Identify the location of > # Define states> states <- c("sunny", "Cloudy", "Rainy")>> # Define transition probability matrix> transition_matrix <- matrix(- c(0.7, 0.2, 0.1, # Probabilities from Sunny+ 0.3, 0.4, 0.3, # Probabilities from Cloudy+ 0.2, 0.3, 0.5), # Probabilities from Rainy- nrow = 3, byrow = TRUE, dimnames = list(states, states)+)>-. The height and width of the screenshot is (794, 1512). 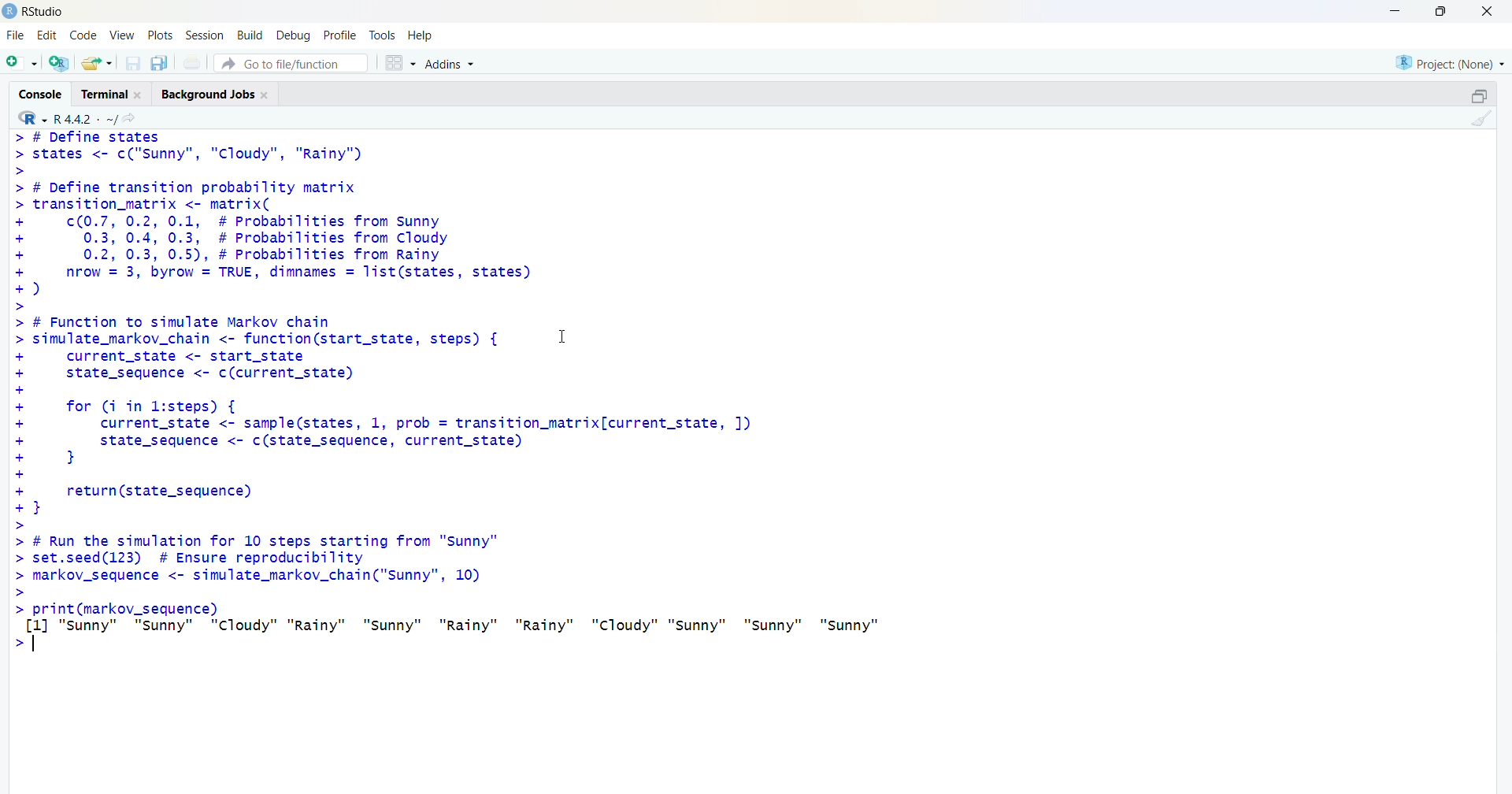
(283, 221).